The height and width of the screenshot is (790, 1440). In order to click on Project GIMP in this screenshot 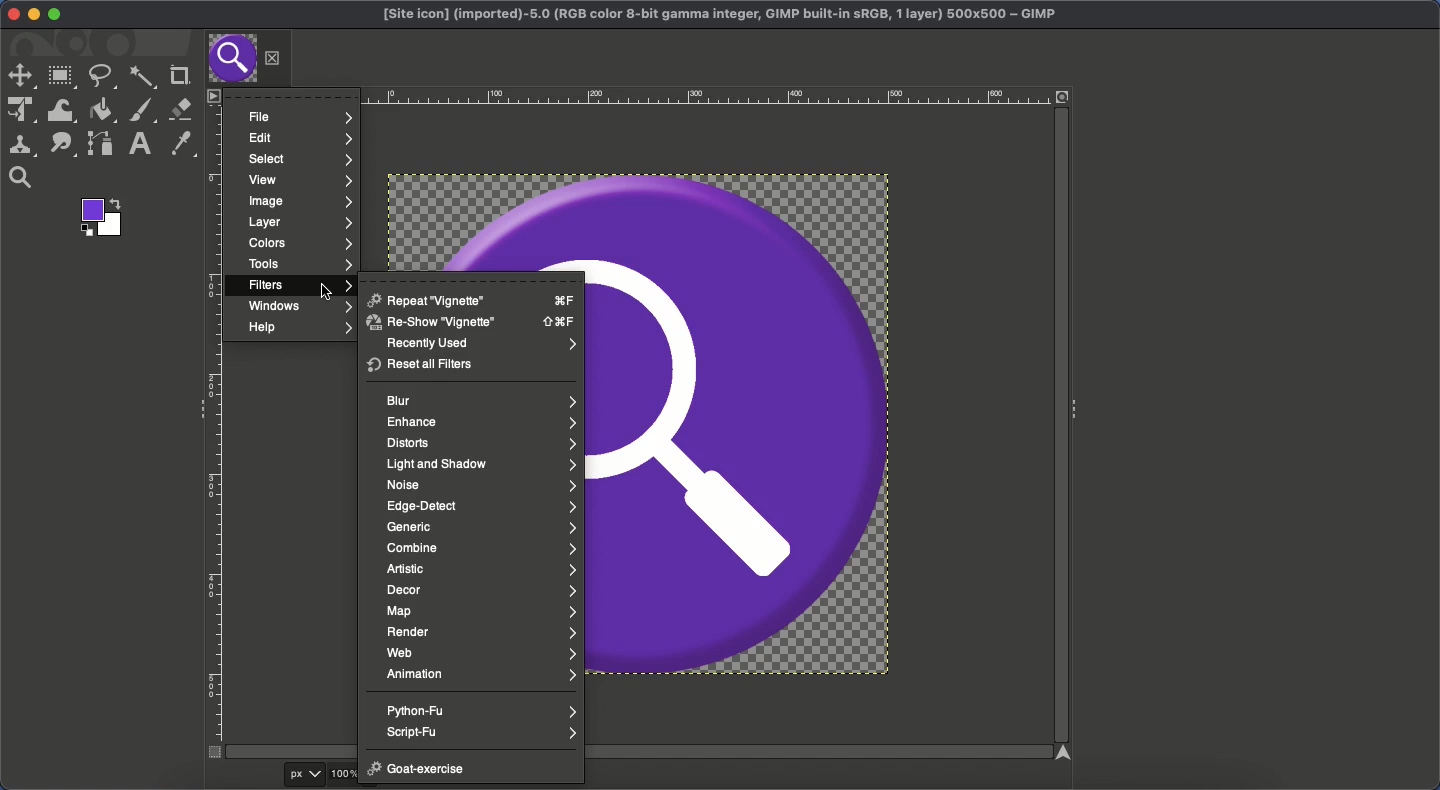, I will do `click(720, 15)`.